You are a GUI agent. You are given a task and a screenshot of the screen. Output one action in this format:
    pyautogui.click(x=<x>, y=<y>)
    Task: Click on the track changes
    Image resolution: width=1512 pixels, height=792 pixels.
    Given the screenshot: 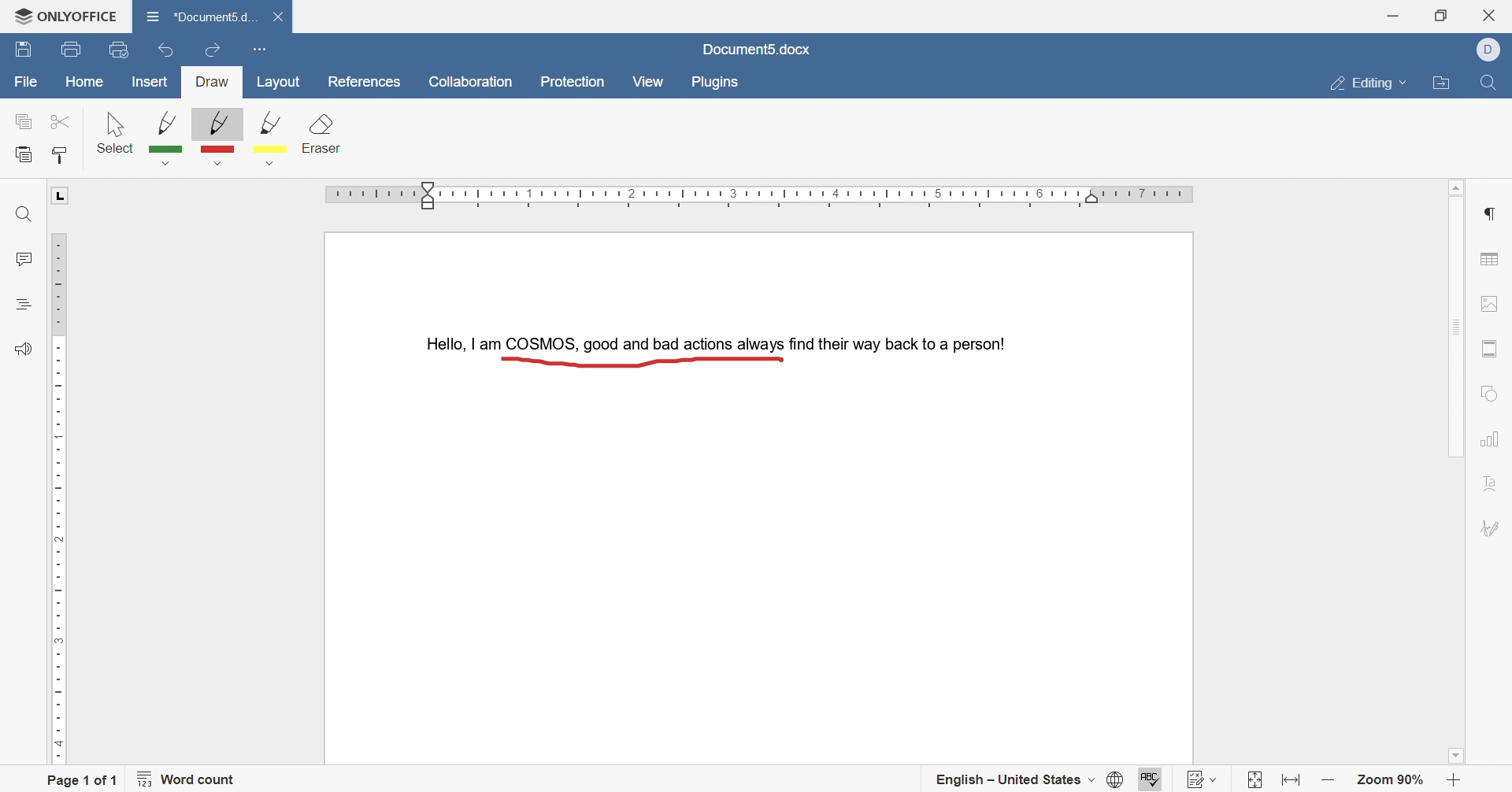 What is the action you would take?
    pyautogui.click(x=1204, y=776)
    